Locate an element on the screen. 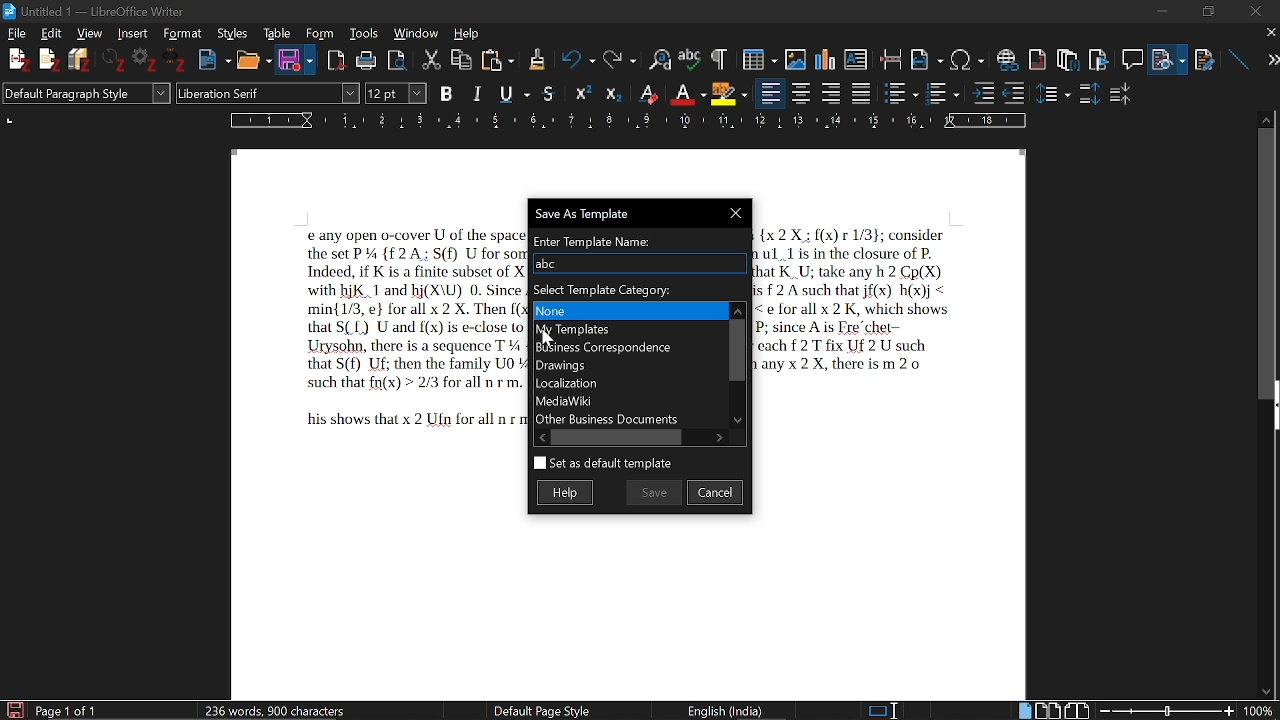 Image resolution: width=1280 pixels, height=720 pixels. Insert link is located at coordinates (1007, 56).